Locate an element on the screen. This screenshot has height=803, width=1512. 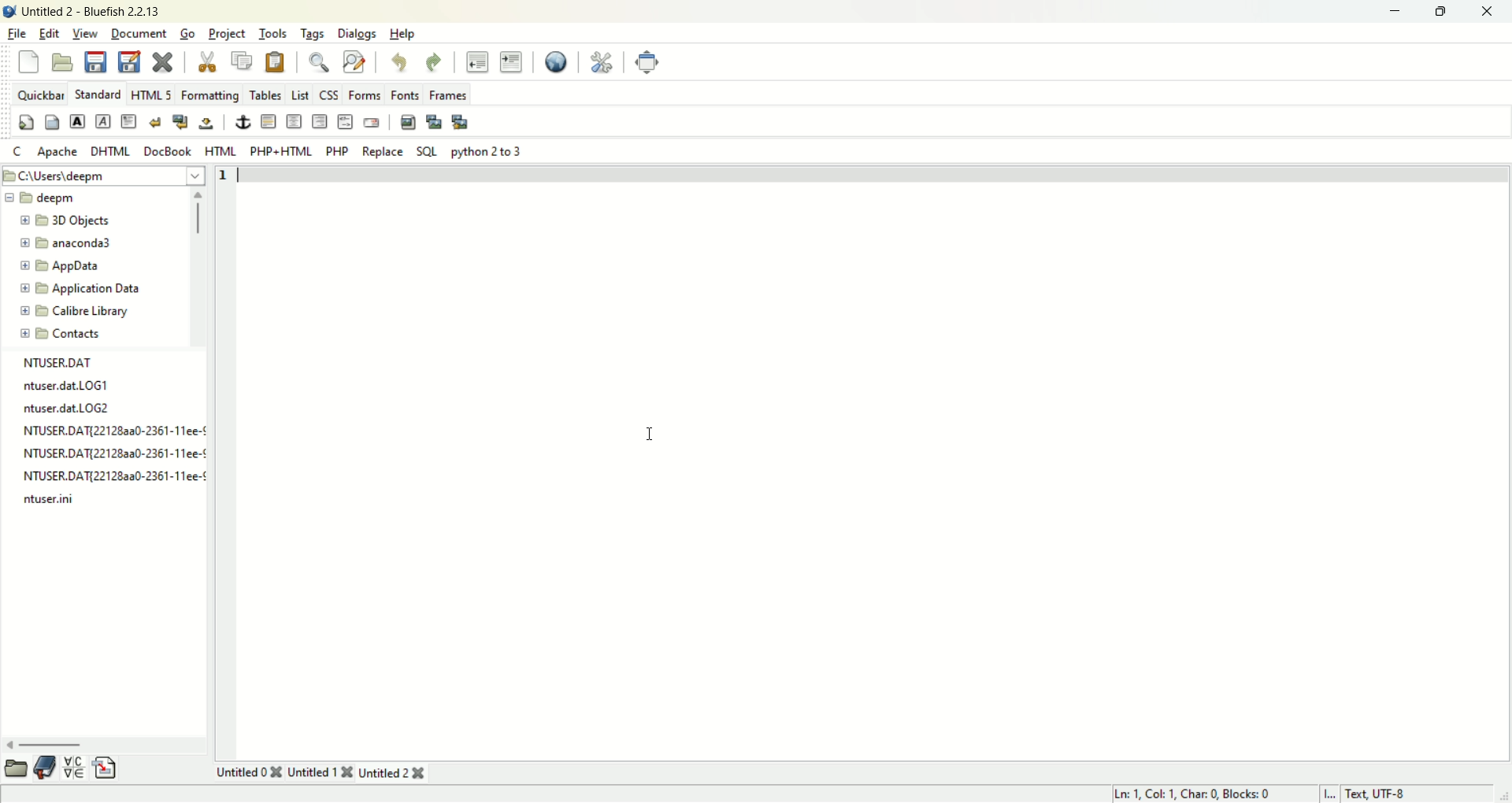
body is located at coordinates (51, 122).